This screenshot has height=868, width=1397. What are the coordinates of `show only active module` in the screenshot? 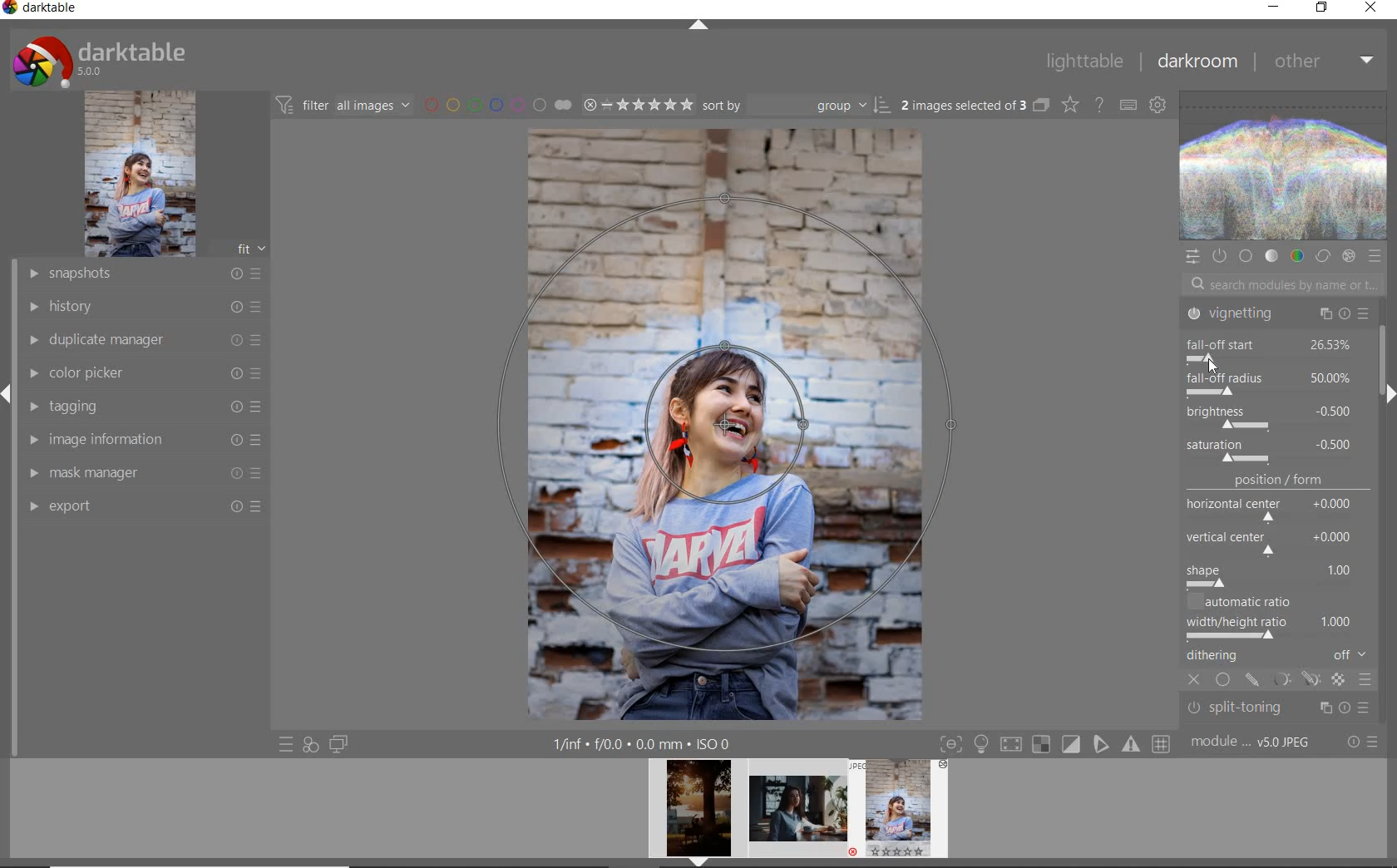 It's located at (1218, 256).